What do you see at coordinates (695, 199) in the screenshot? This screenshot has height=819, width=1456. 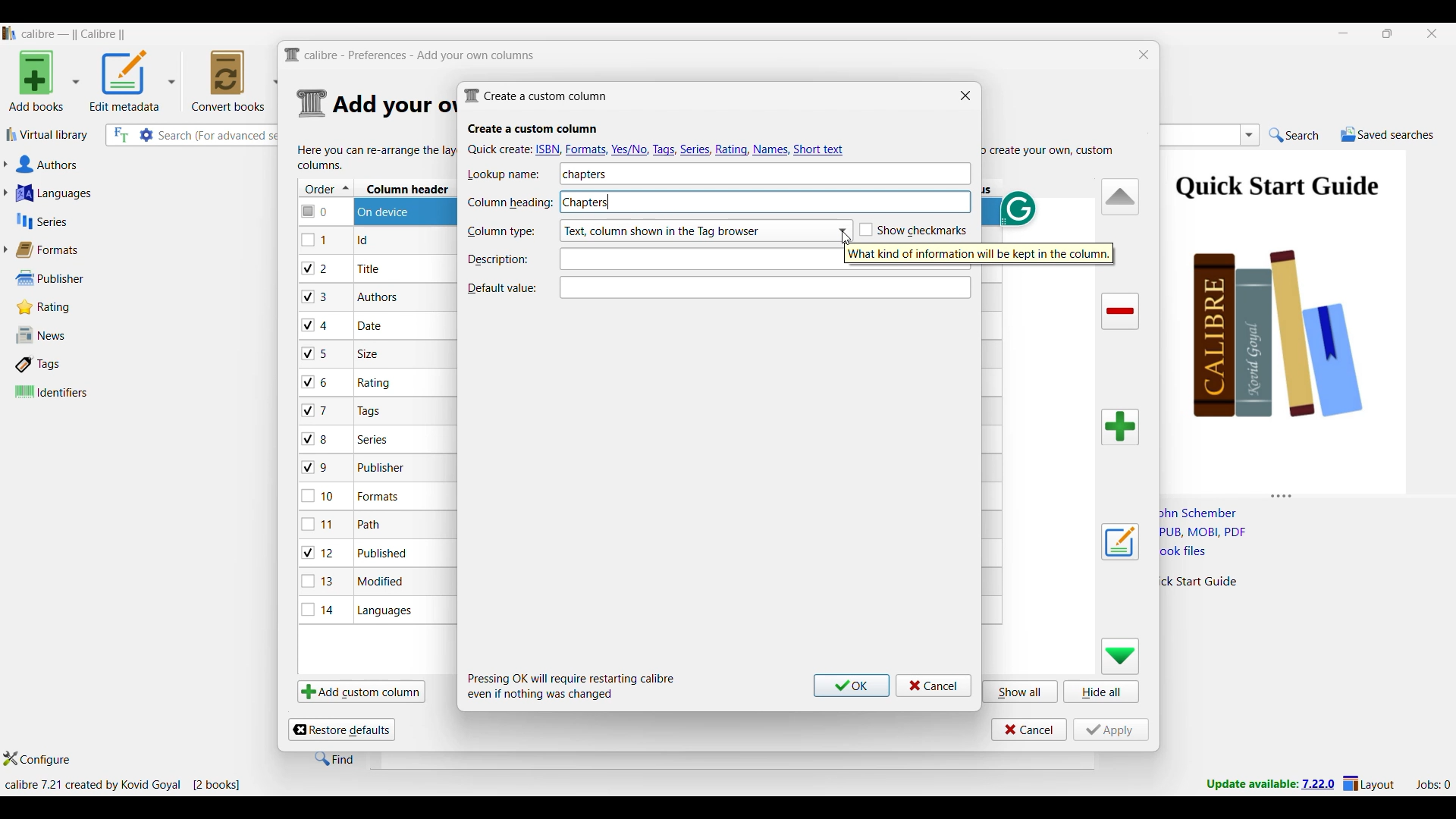 I see `Column heading typed in` at bounding box center [695, 199].